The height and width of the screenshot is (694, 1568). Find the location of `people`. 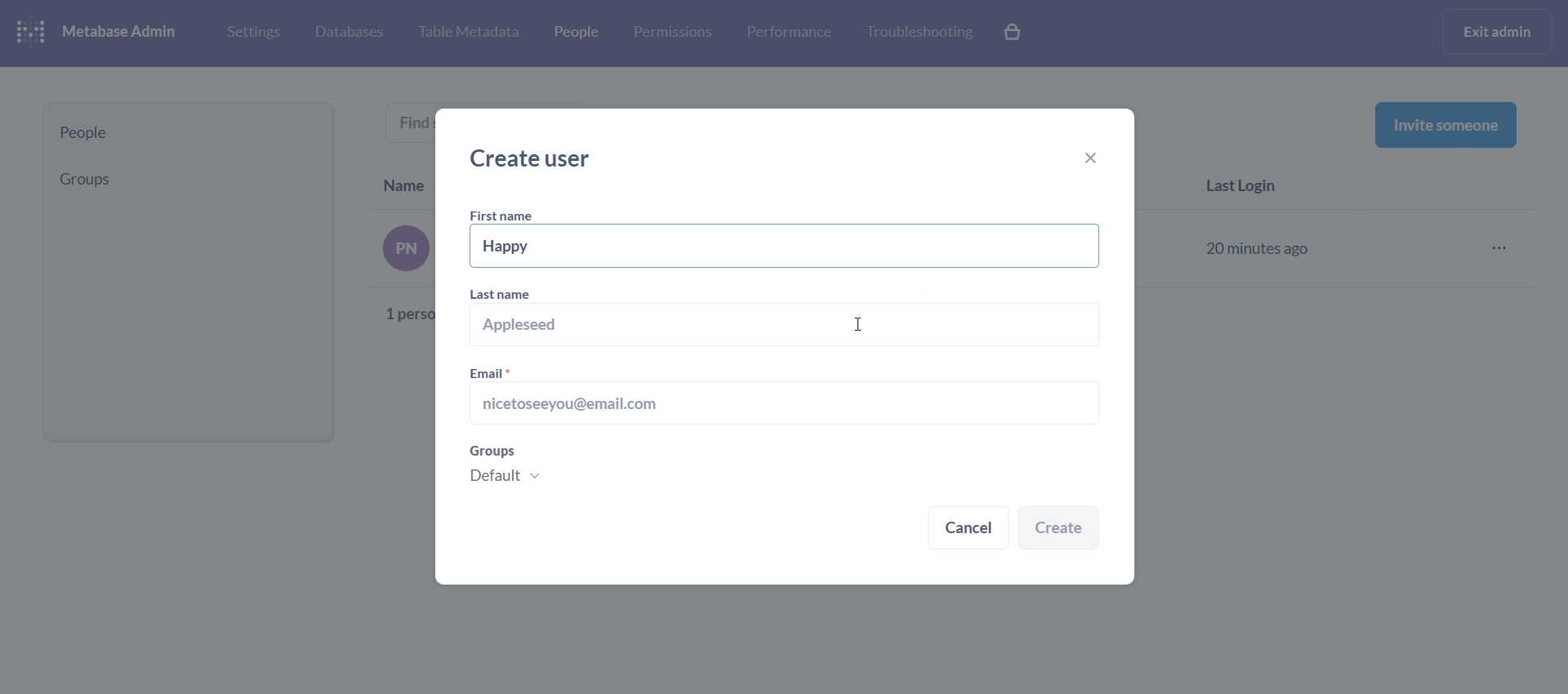

people is located at coordinates (574, 35).